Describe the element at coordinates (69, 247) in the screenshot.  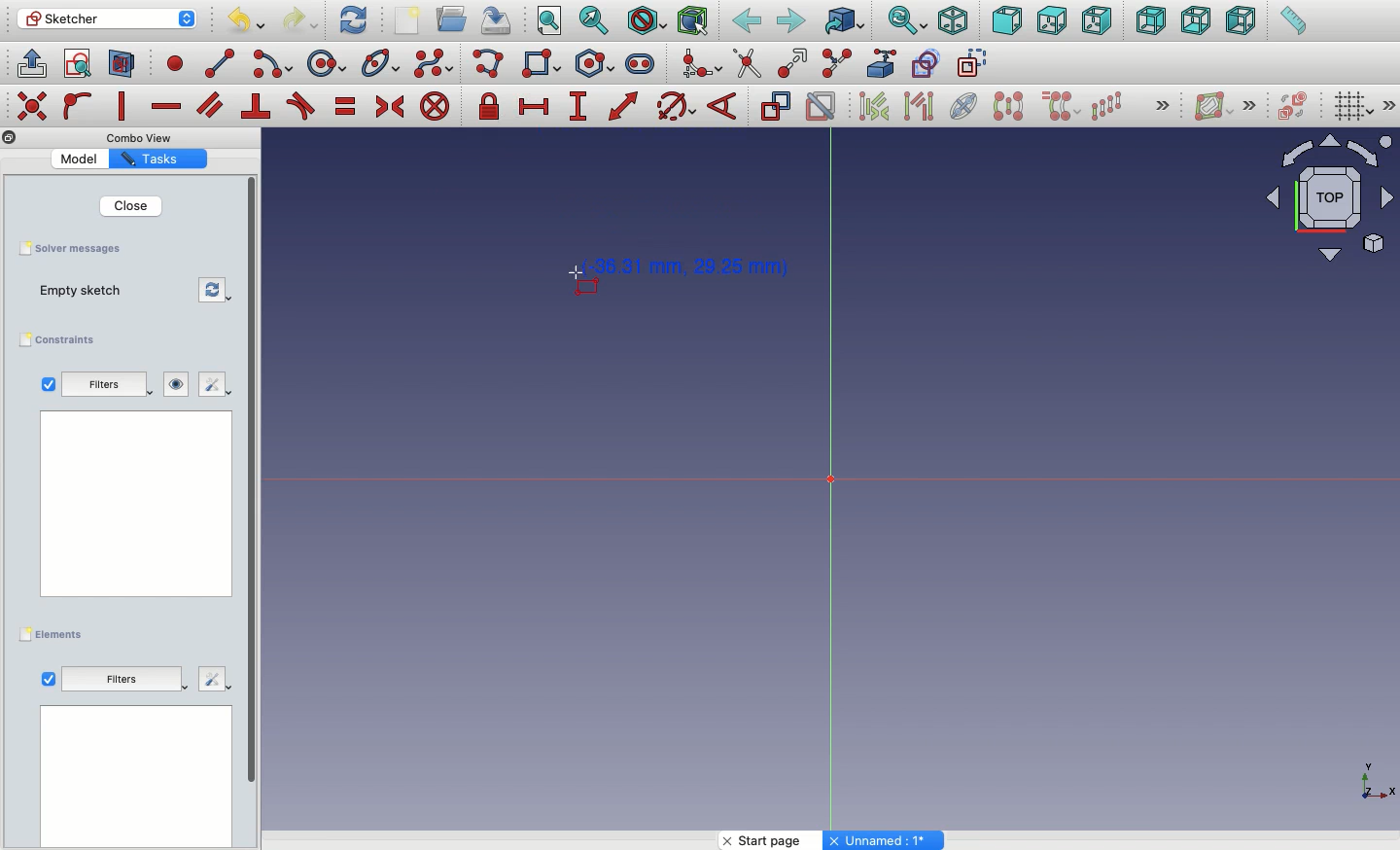
I see `Save` at that location.